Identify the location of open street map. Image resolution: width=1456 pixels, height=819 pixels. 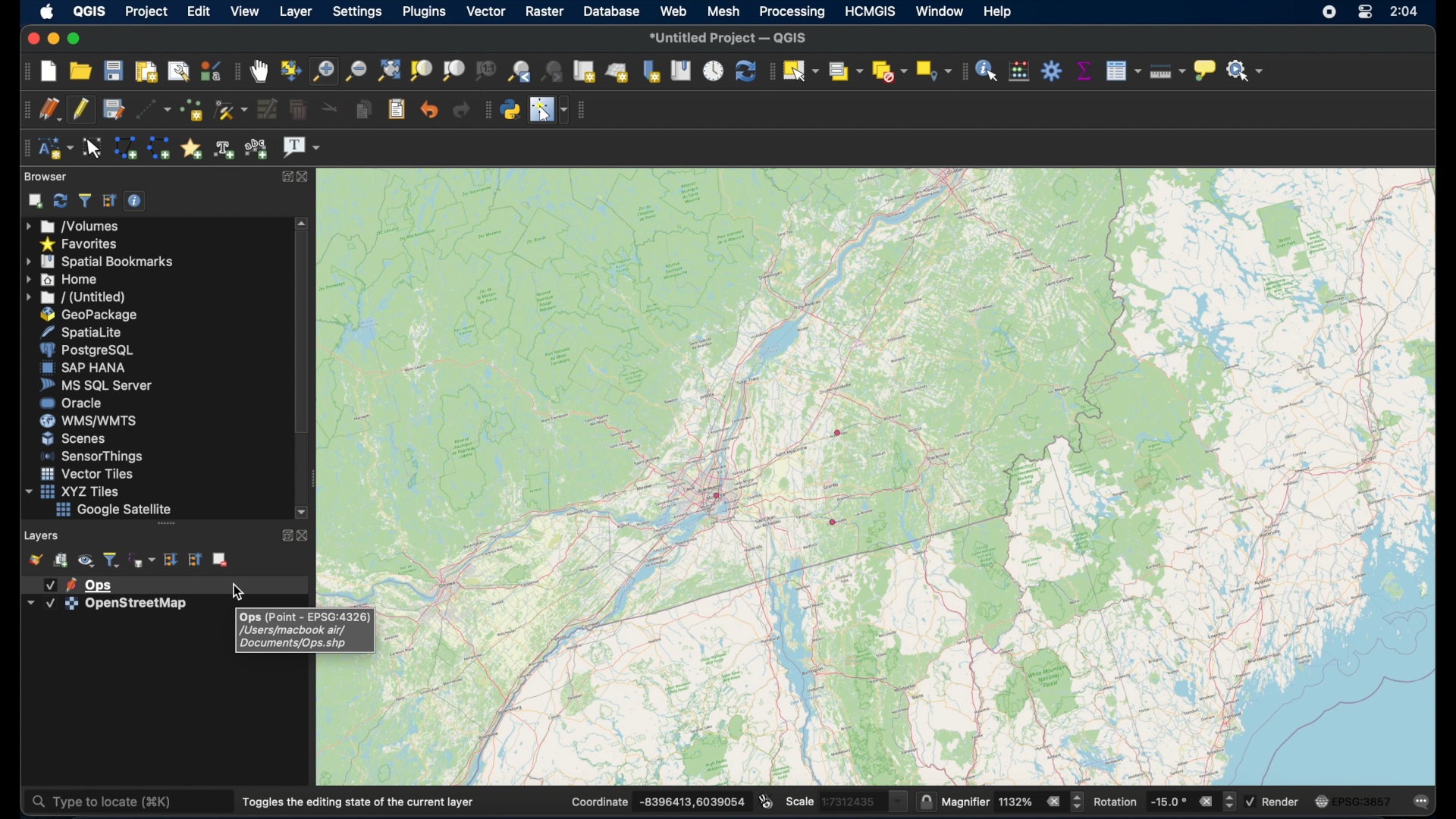
(538, 601).